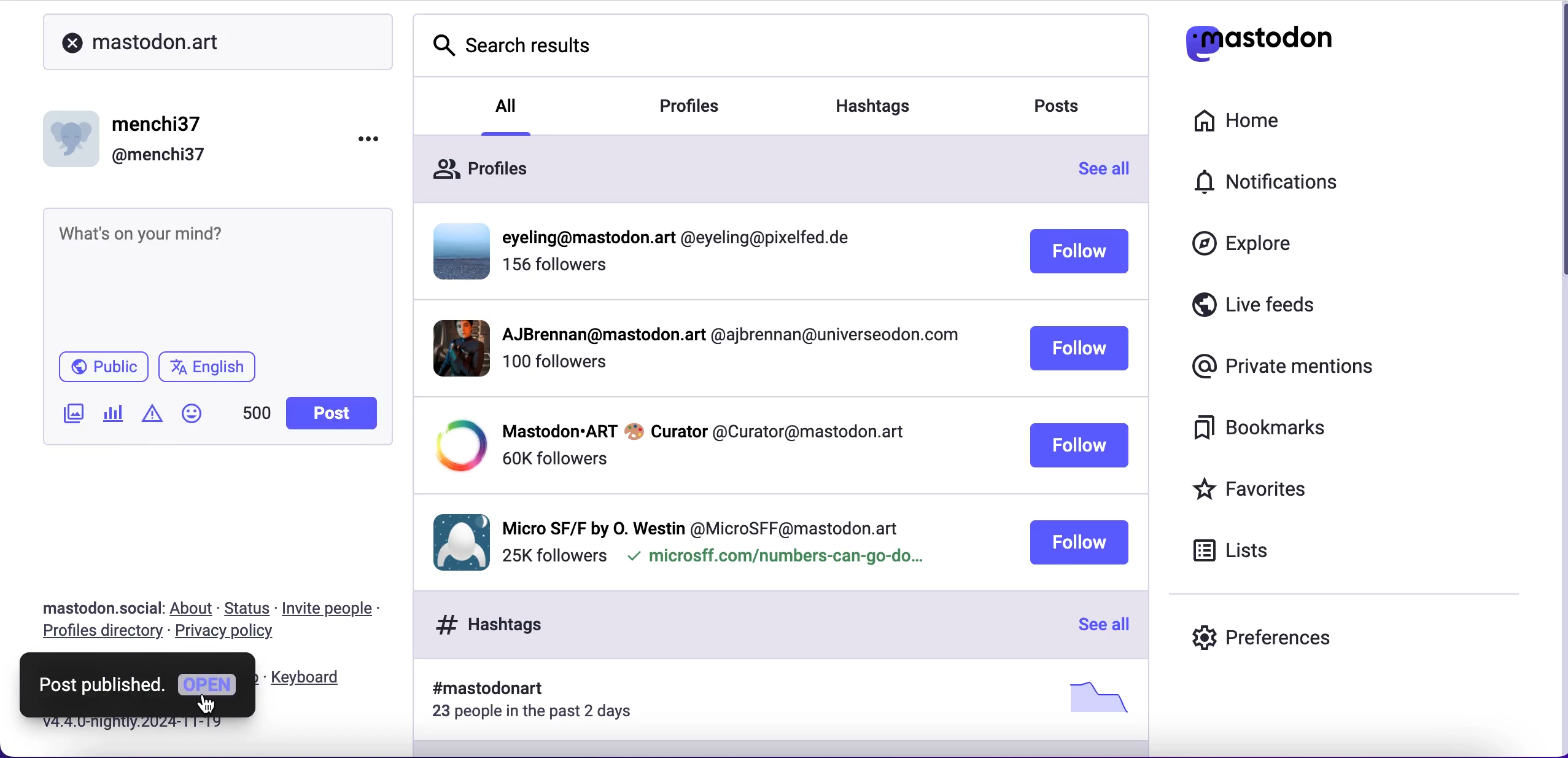 Image resolution: width=1568 pixels, height=758 pixels. What do you see at coordinates (100, 685) in the screenshot?
I see `post published` at bounding box center [100, 685].